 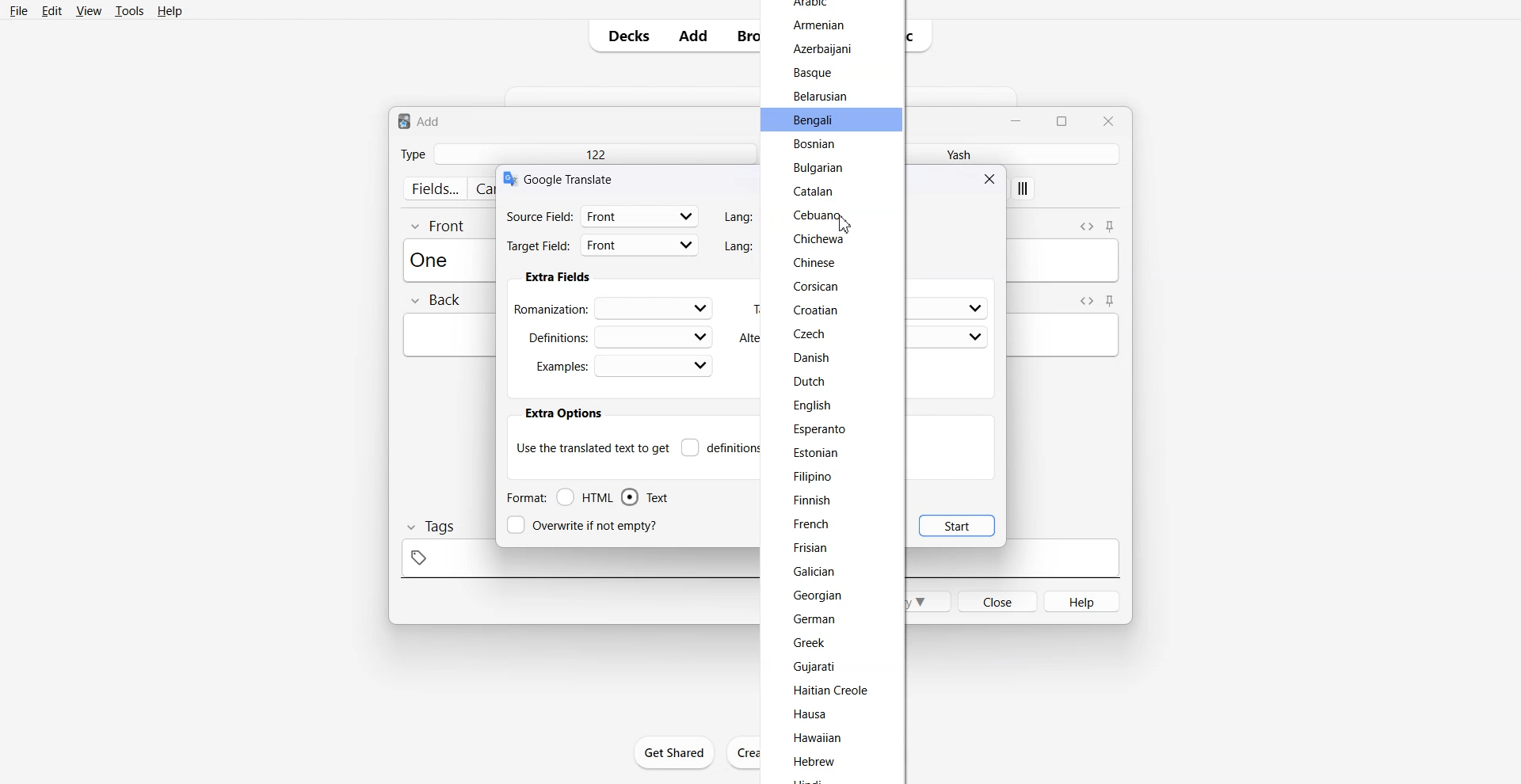 I want to click on Toggle sticky, so click(x=1111, y=227).